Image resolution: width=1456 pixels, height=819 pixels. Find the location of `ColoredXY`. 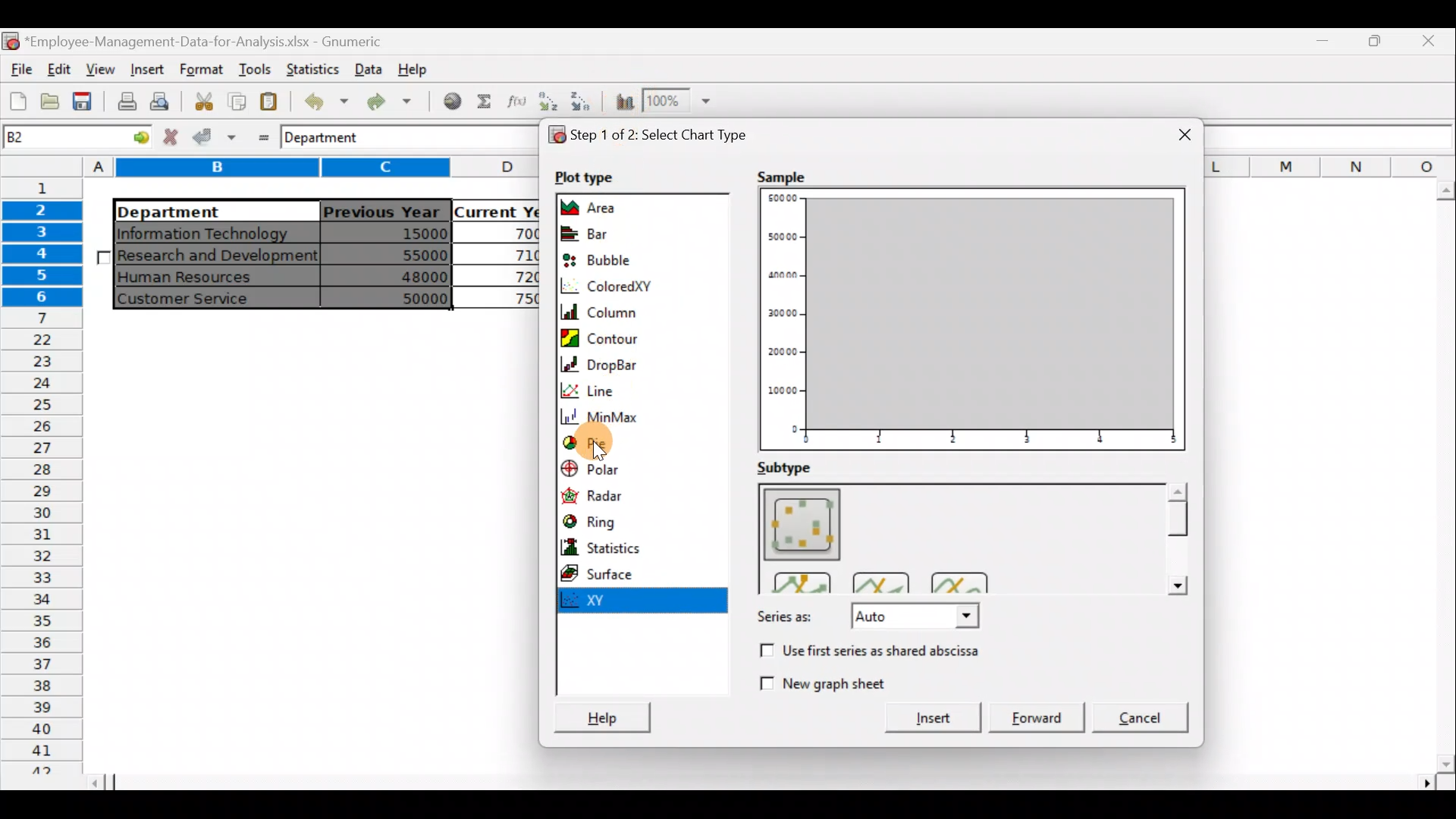

ColoredXY is located at coordinates (616, 286).